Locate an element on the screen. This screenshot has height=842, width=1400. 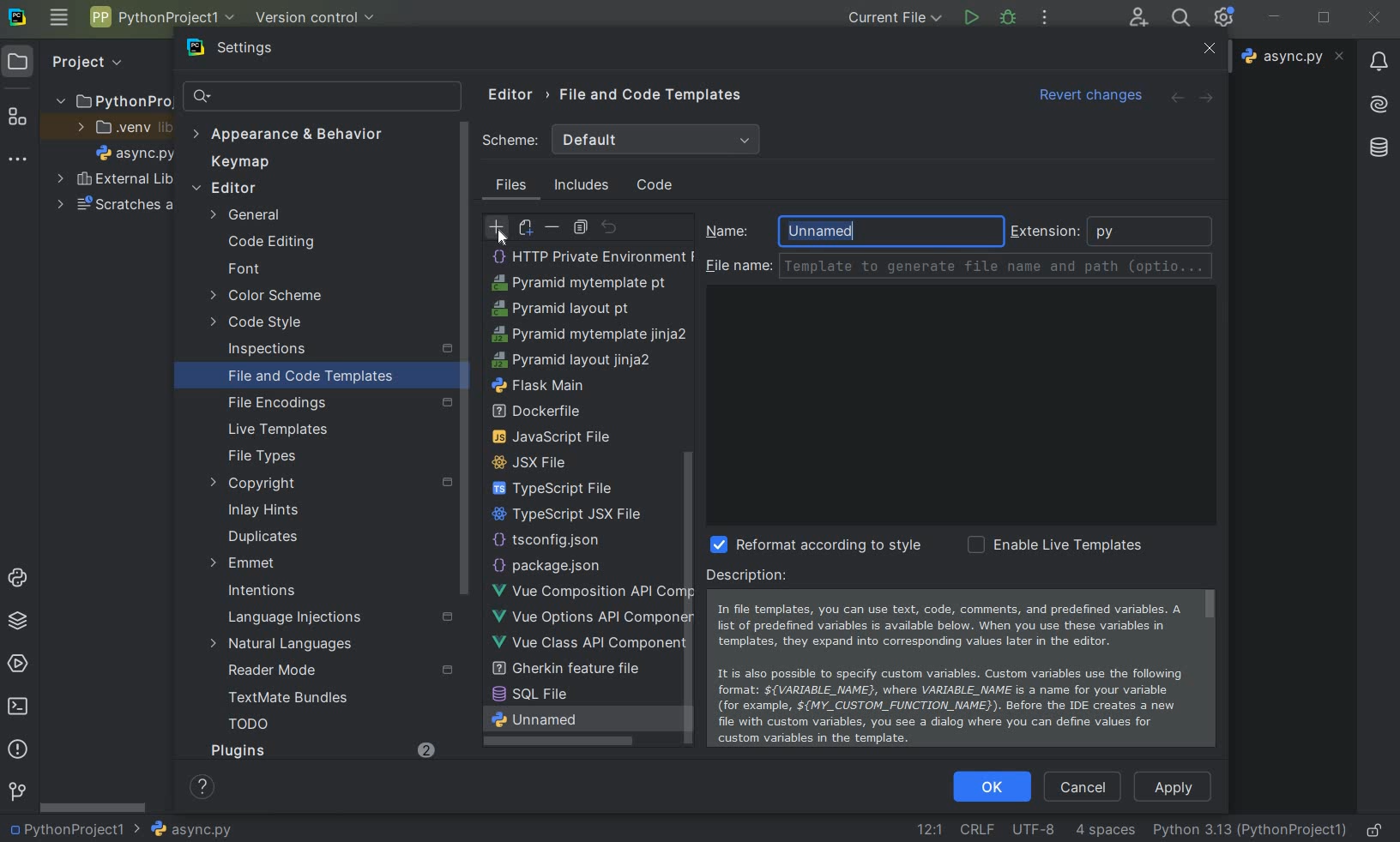
python stub is located at coordinates (546, 383).